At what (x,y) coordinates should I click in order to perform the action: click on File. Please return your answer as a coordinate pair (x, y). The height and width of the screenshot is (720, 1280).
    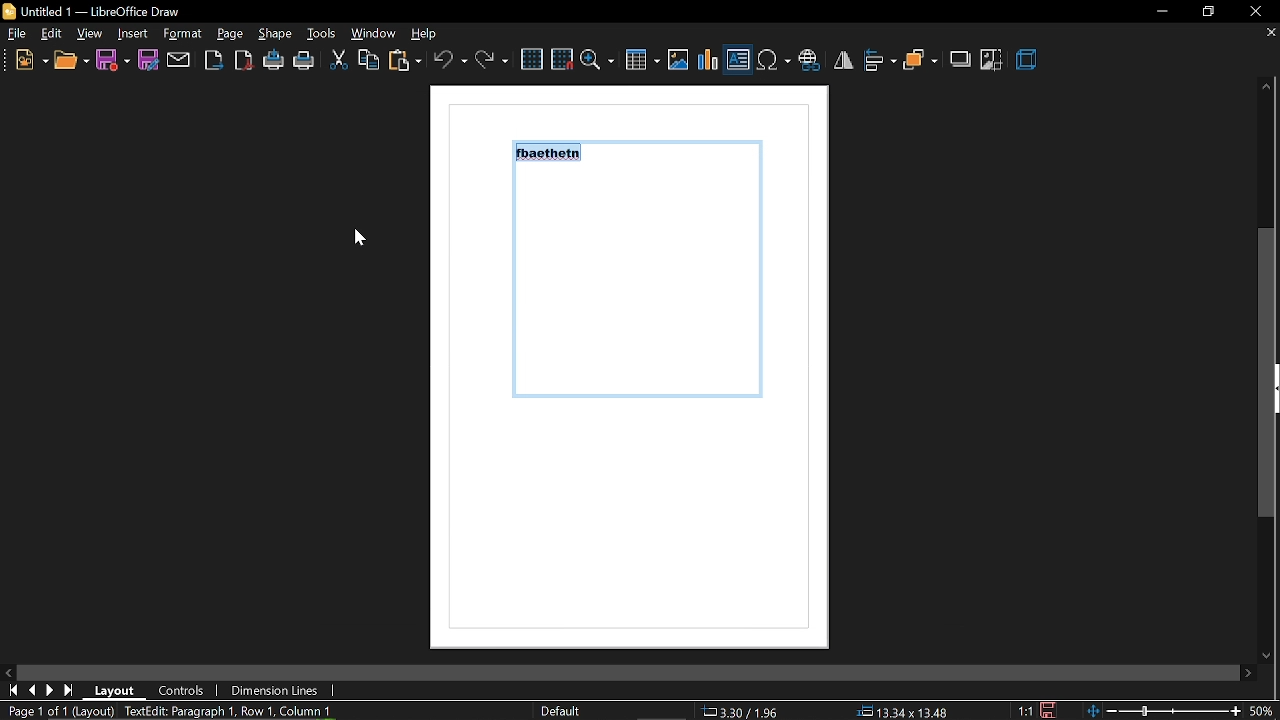
    Looking at the image, I should click on (17, 33).